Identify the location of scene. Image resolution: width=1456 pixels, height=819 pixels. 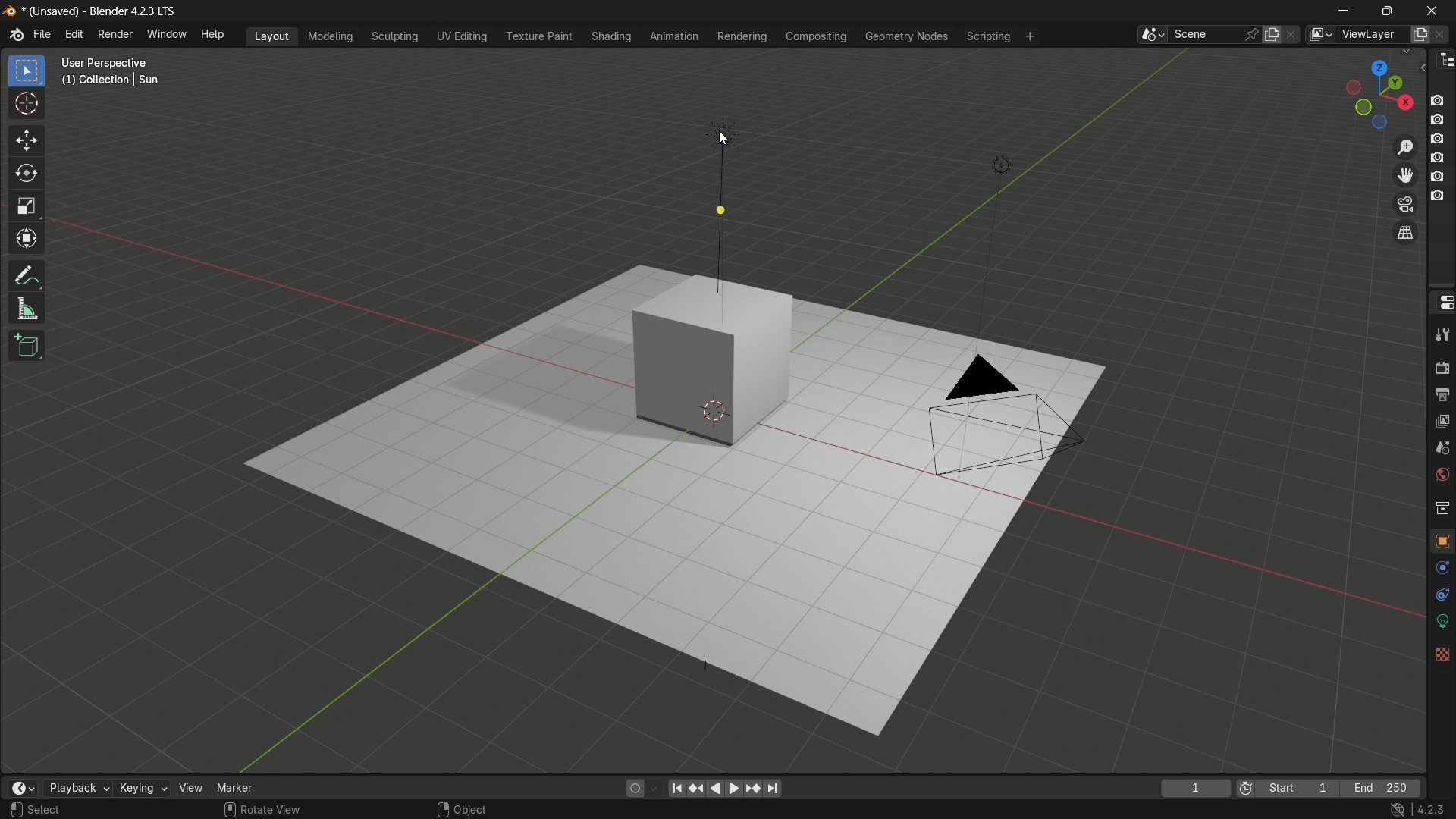
(1444, 447).